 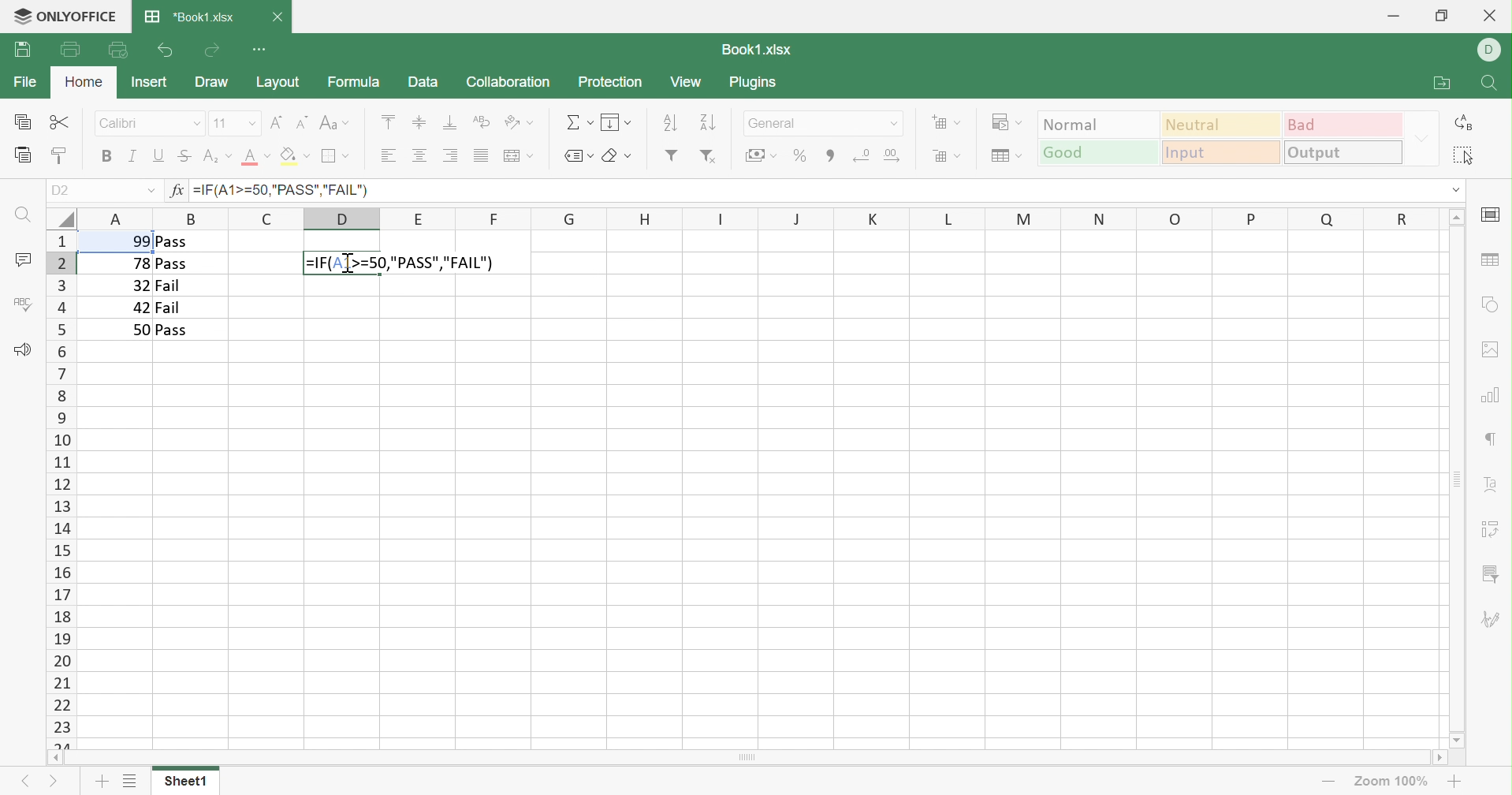 What do you see at coordinates (945, 155) in the screenshot?
I see `Delete cells` at bounding box center [945, 155].